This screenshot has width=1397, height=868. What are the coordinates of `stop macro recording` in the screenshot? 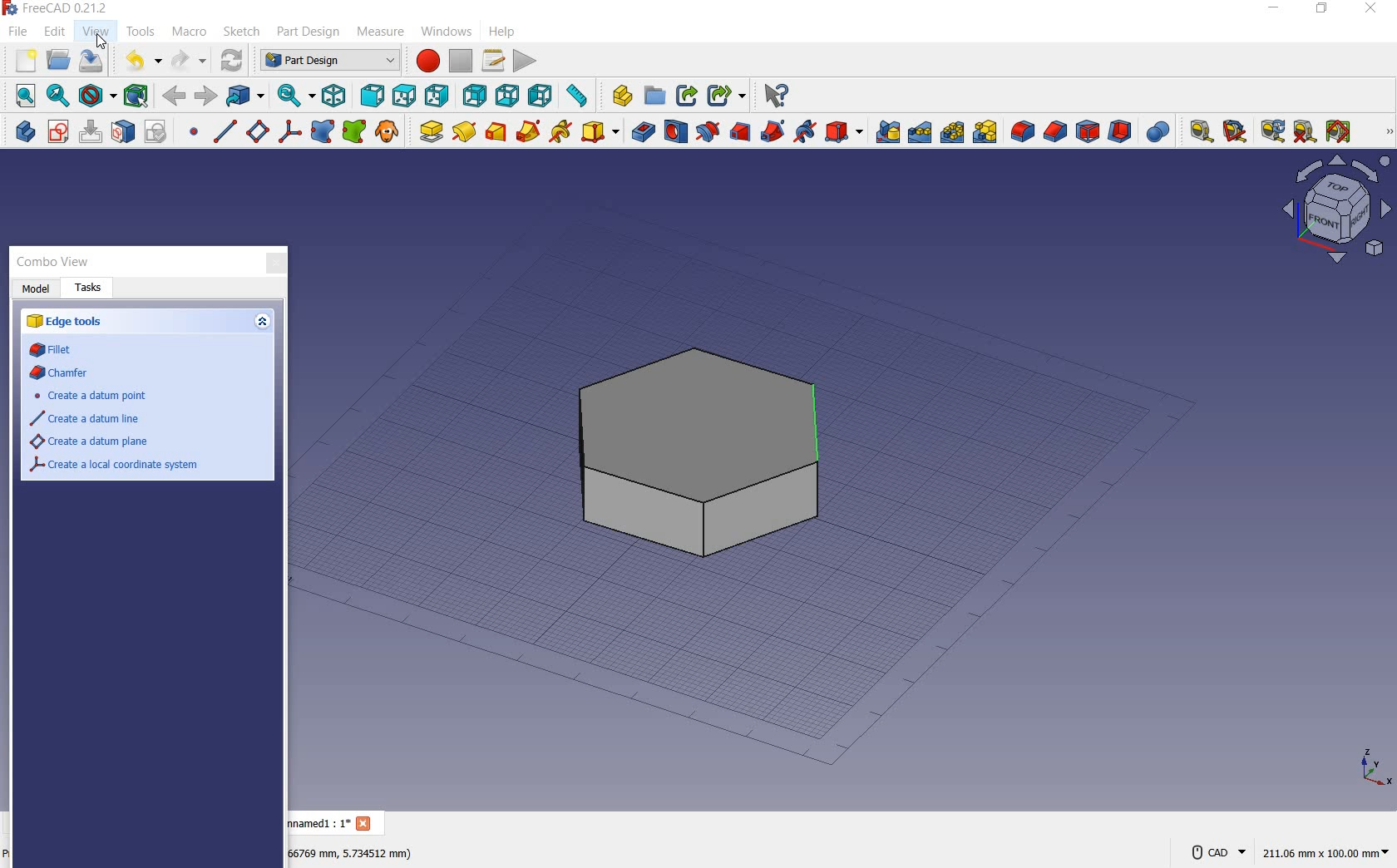 It's located at (461, 61).